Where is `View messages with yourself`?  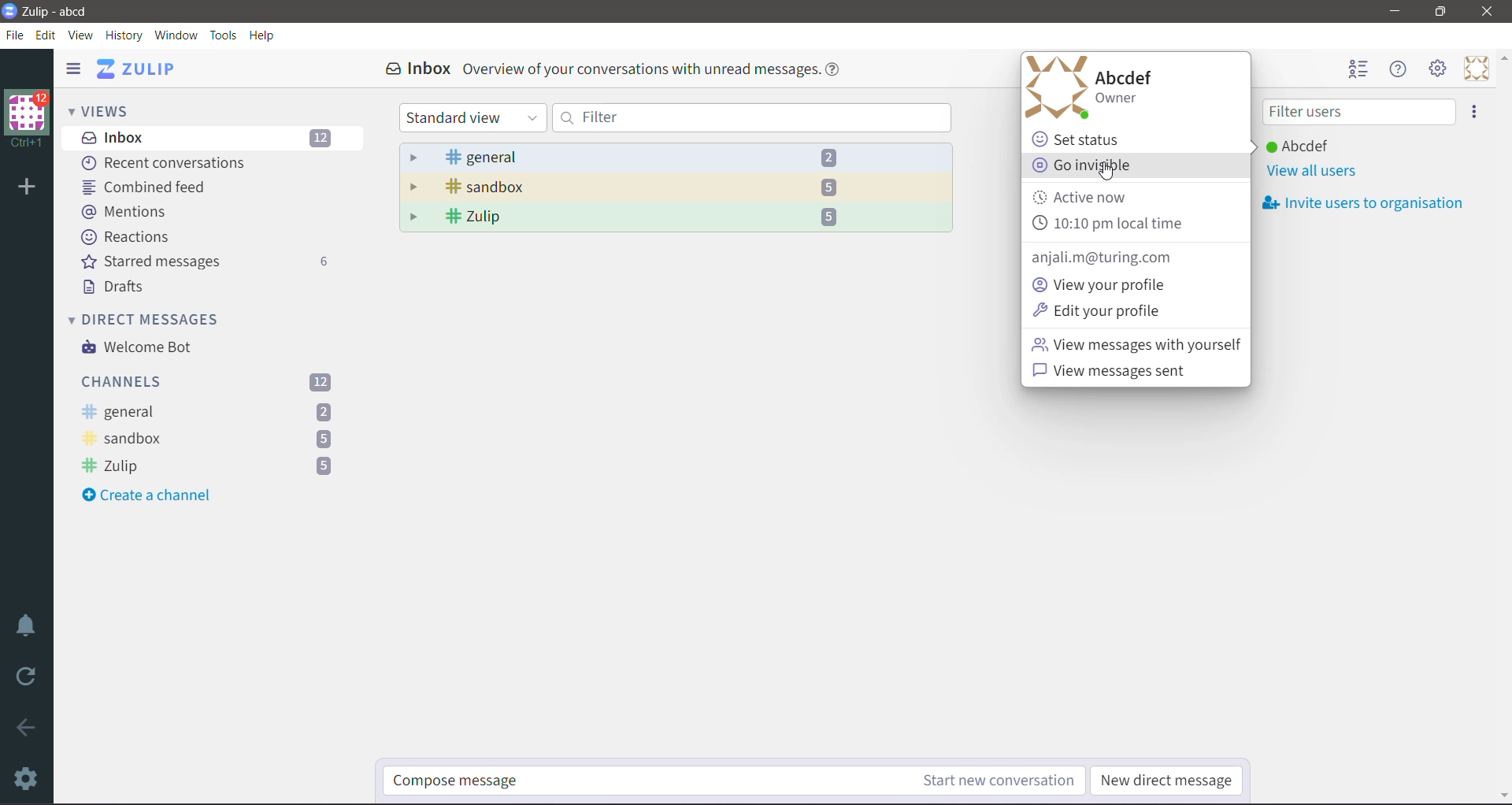
View messages with yourself is located at coordinates (1136, 343).